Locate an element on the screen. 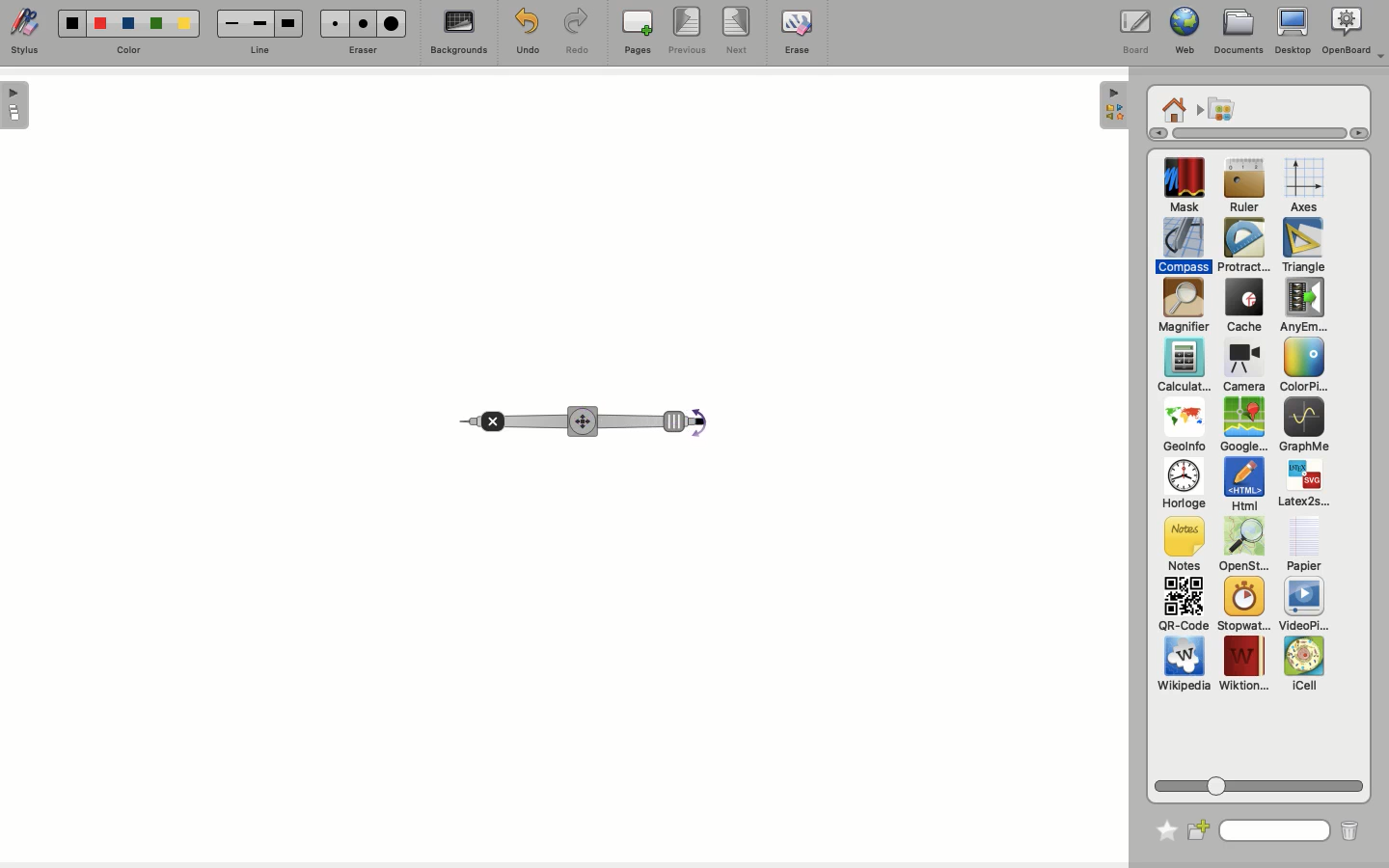 Image resolution: width=1389 pixels, height=868 pixels. Web is located at coordinates (1182, 33).